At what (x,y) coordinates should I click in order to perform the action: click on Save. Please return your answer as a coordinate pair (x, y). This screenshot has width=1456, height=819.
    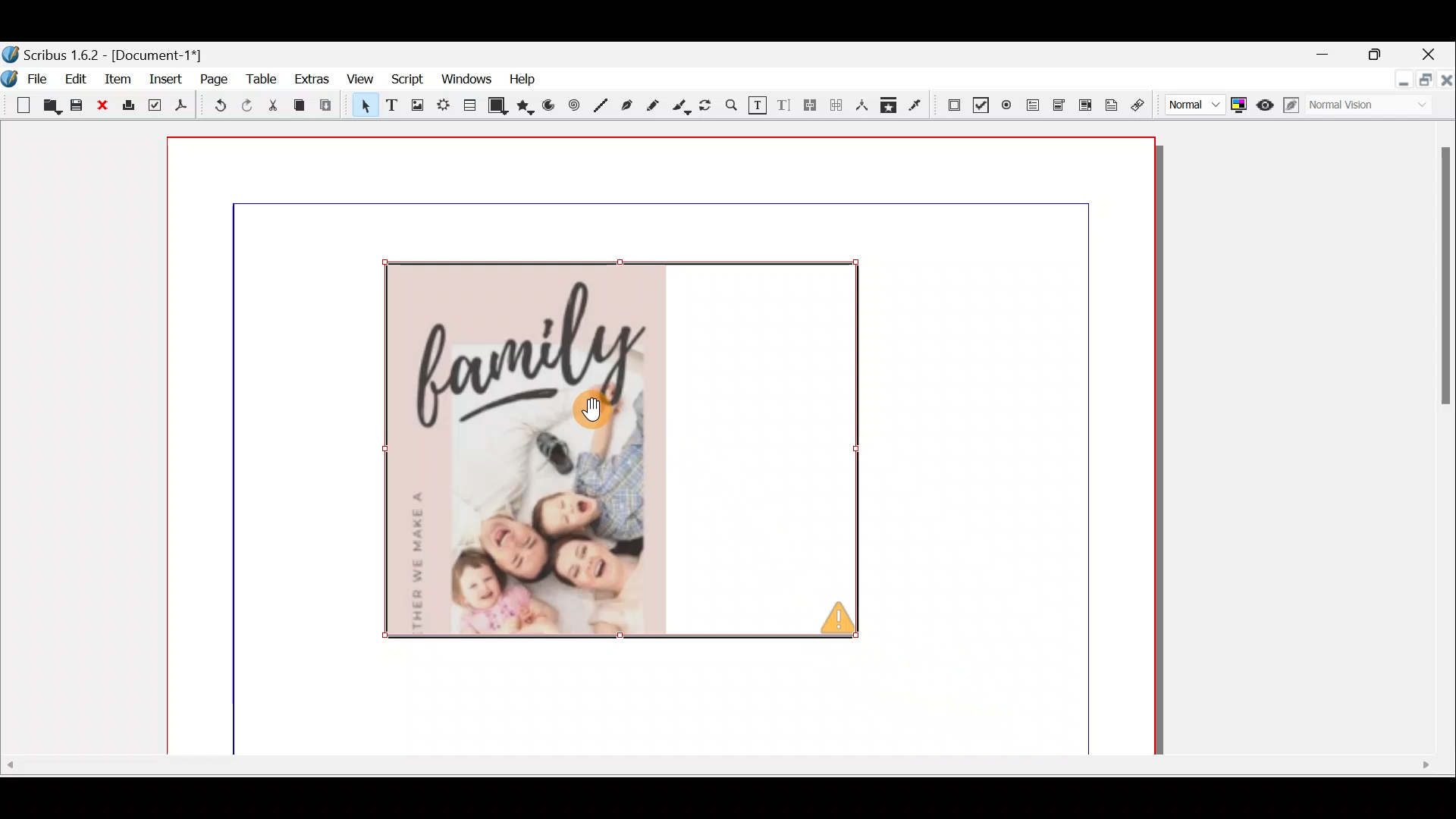
    Looking at the image, I should click on (75, 105).